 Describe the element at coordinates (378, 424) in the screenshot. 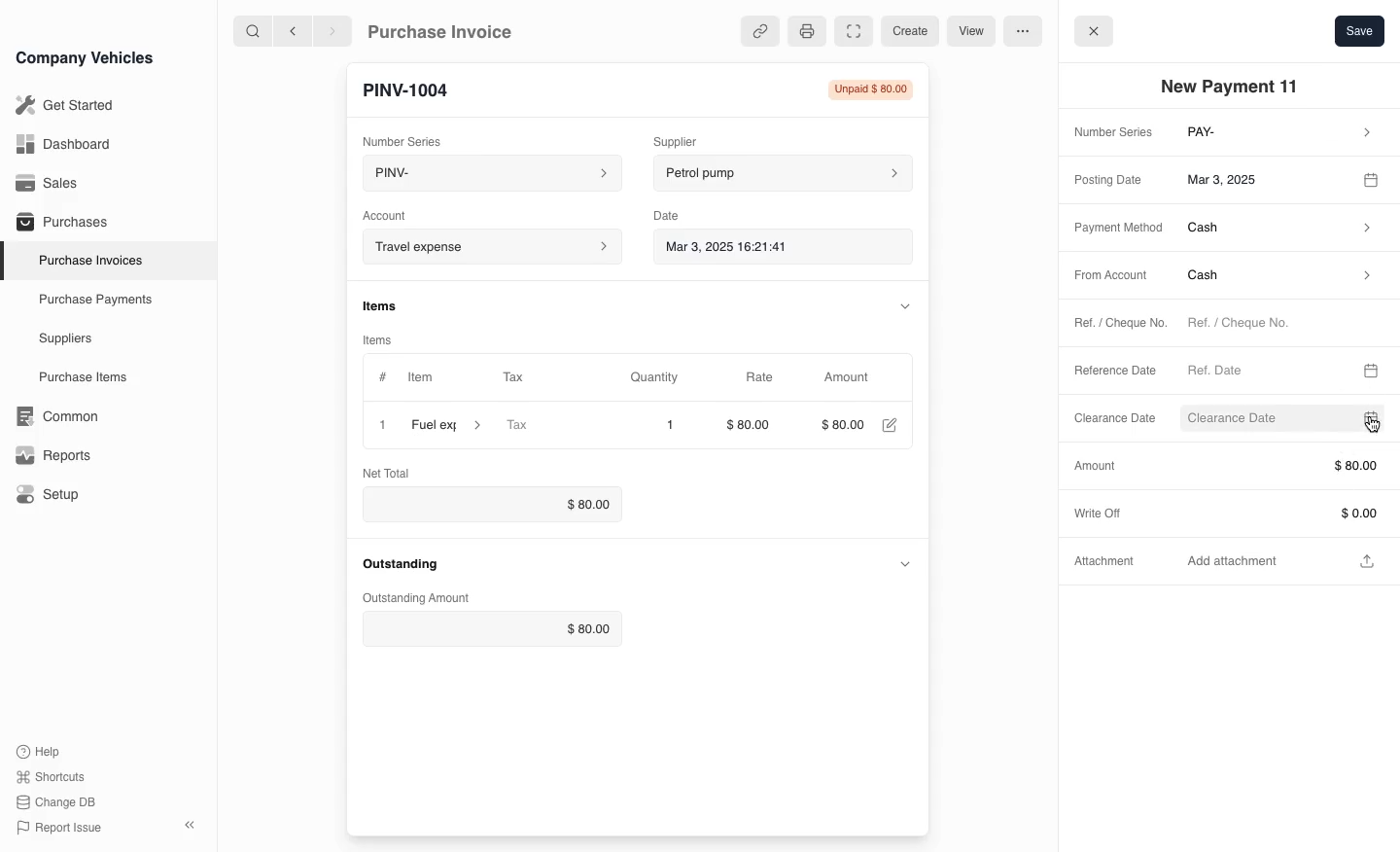

I see `close` at that location.